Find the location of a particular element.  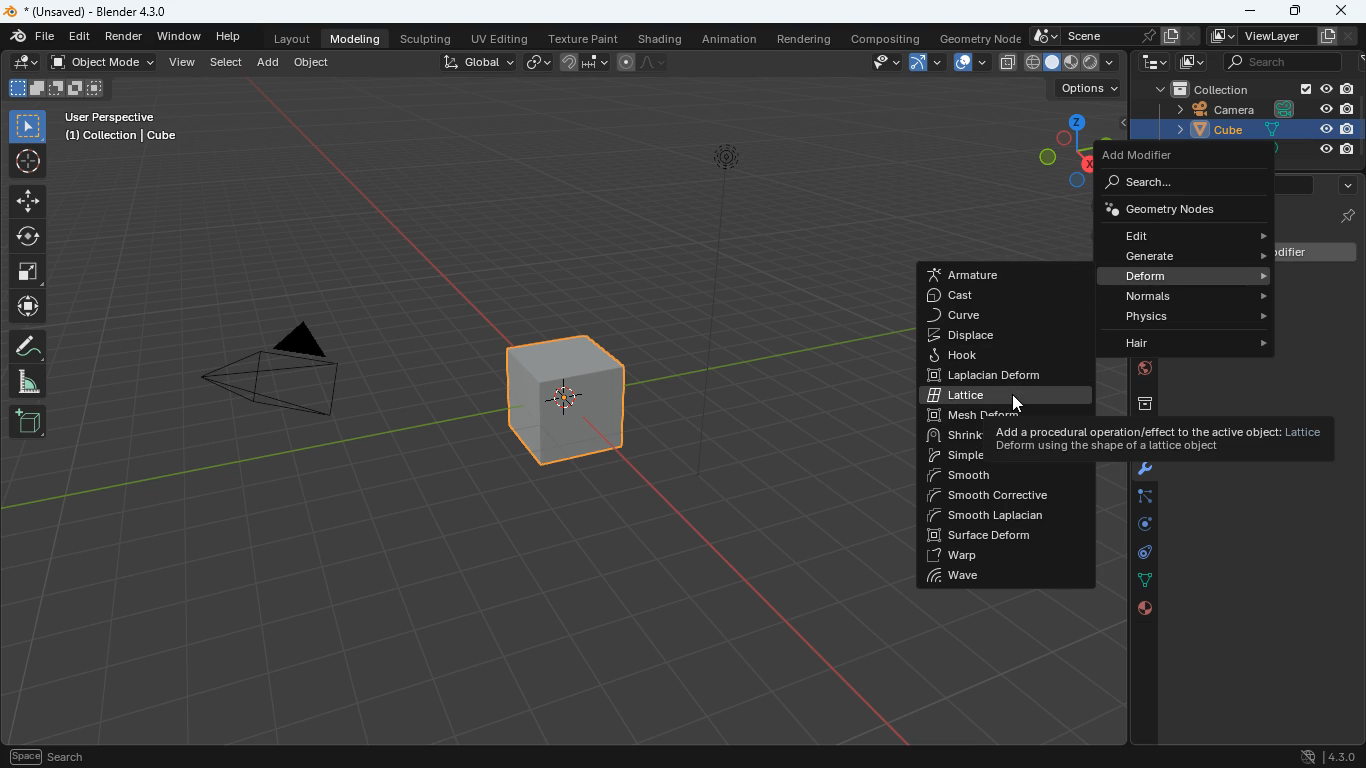

smooth is located at coordinates (997, 478).